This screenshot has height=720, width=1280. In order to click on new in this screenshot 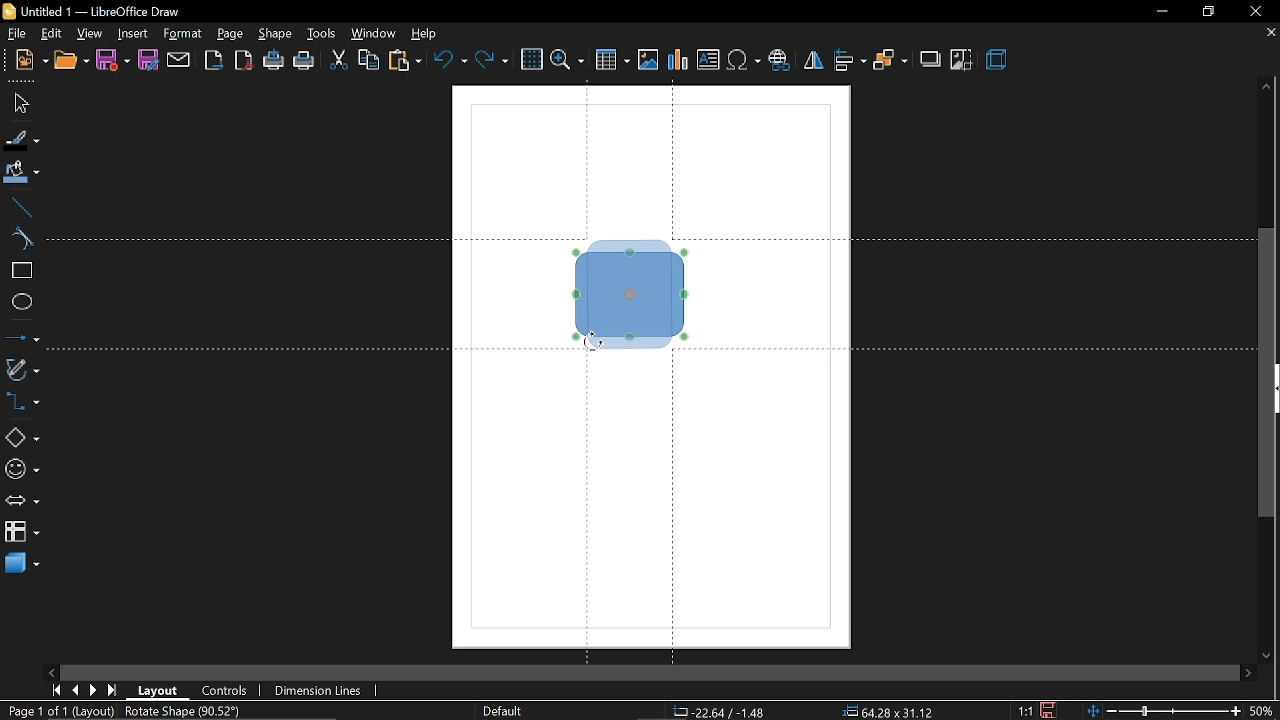, I will do `click(30, 61)`.